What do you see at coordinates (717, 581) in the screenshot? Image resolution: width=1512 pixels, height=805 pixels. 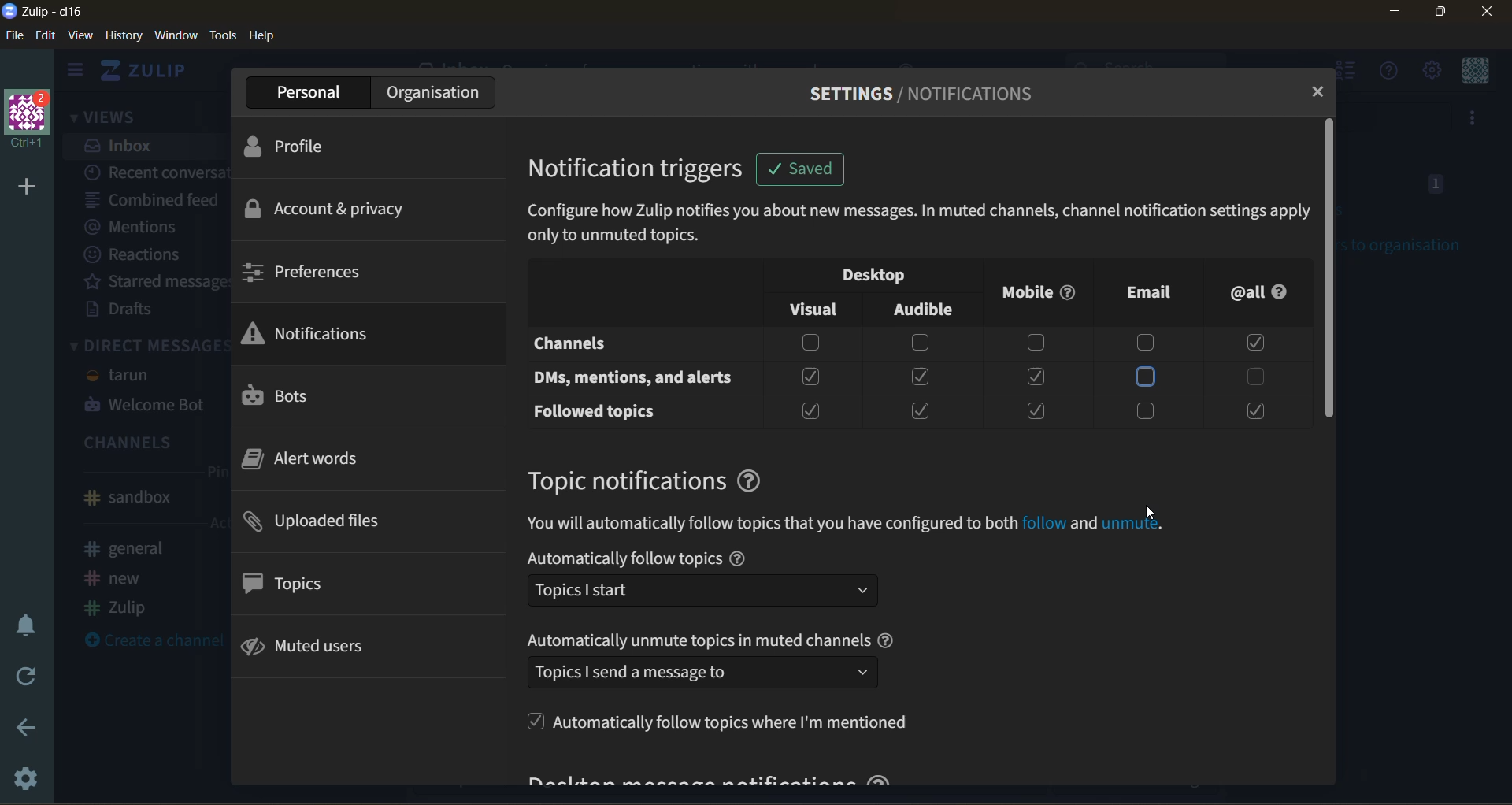 I see `automatically follow topics` at bounding box center [717, 581].